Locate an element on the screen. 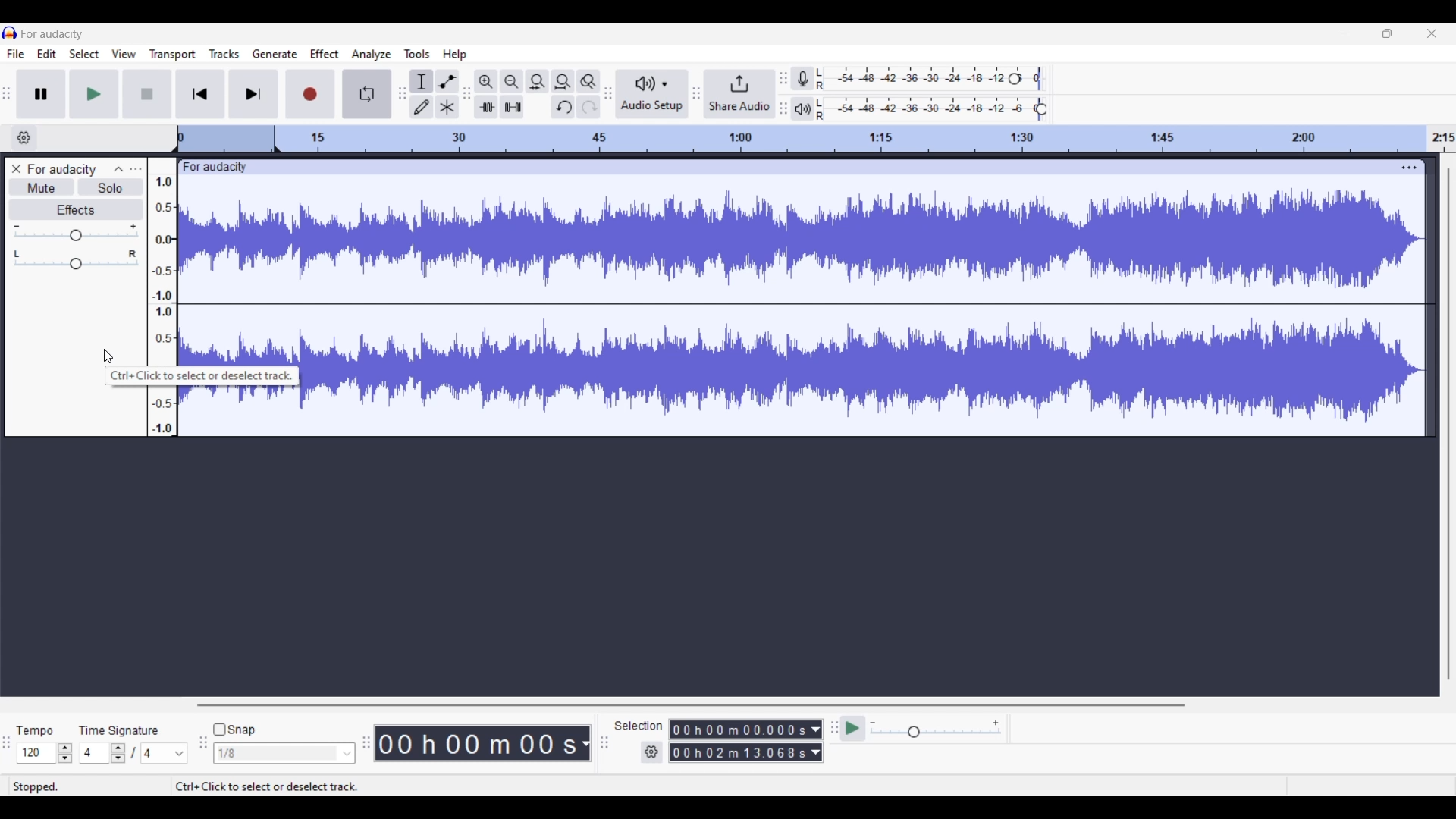  Share audio is located at coordinates (740, 94).